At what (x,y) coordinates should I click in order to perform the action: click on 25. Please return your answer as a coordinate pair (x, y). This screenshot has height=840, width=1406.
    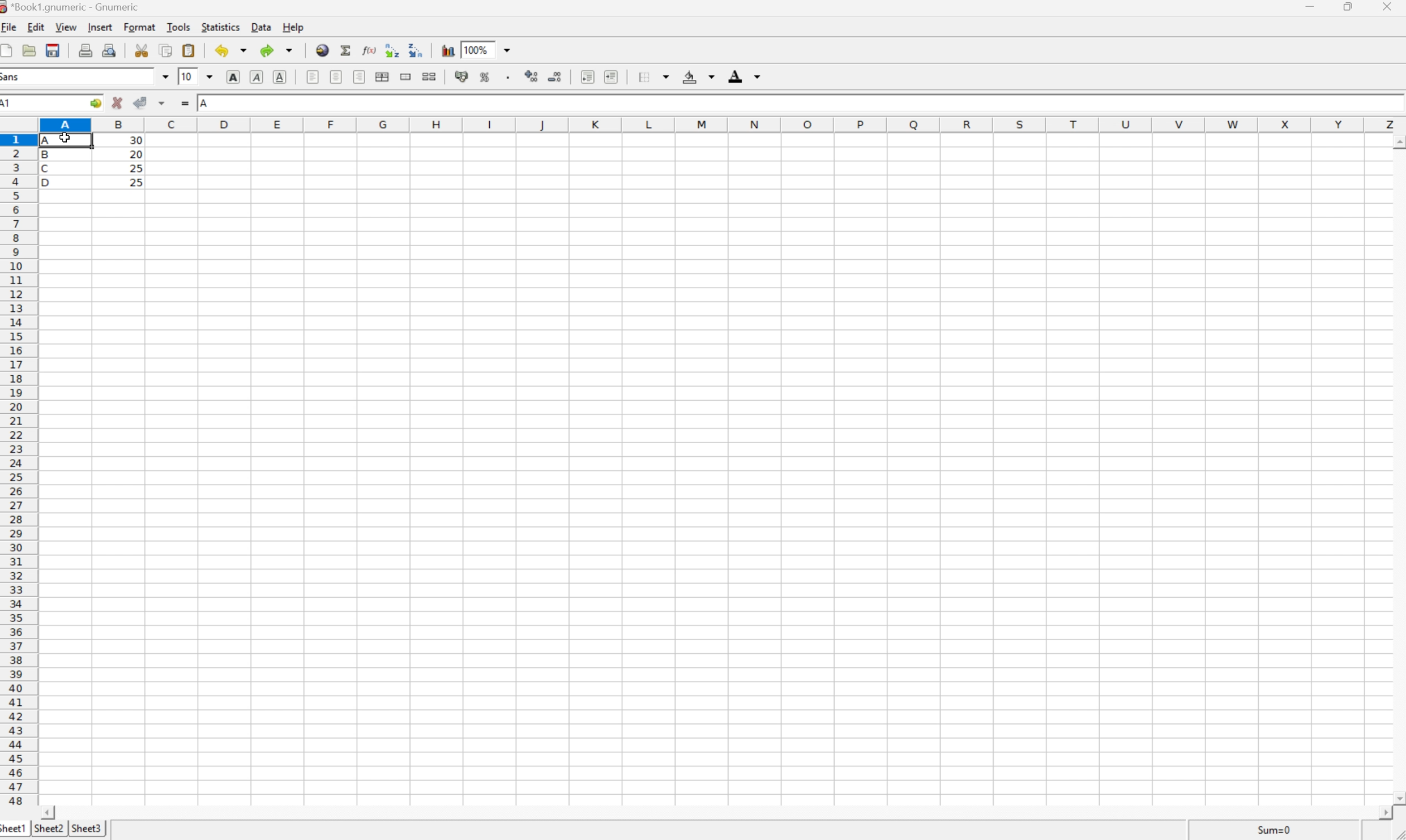
    Looking at the image, I should click on (135, 168).